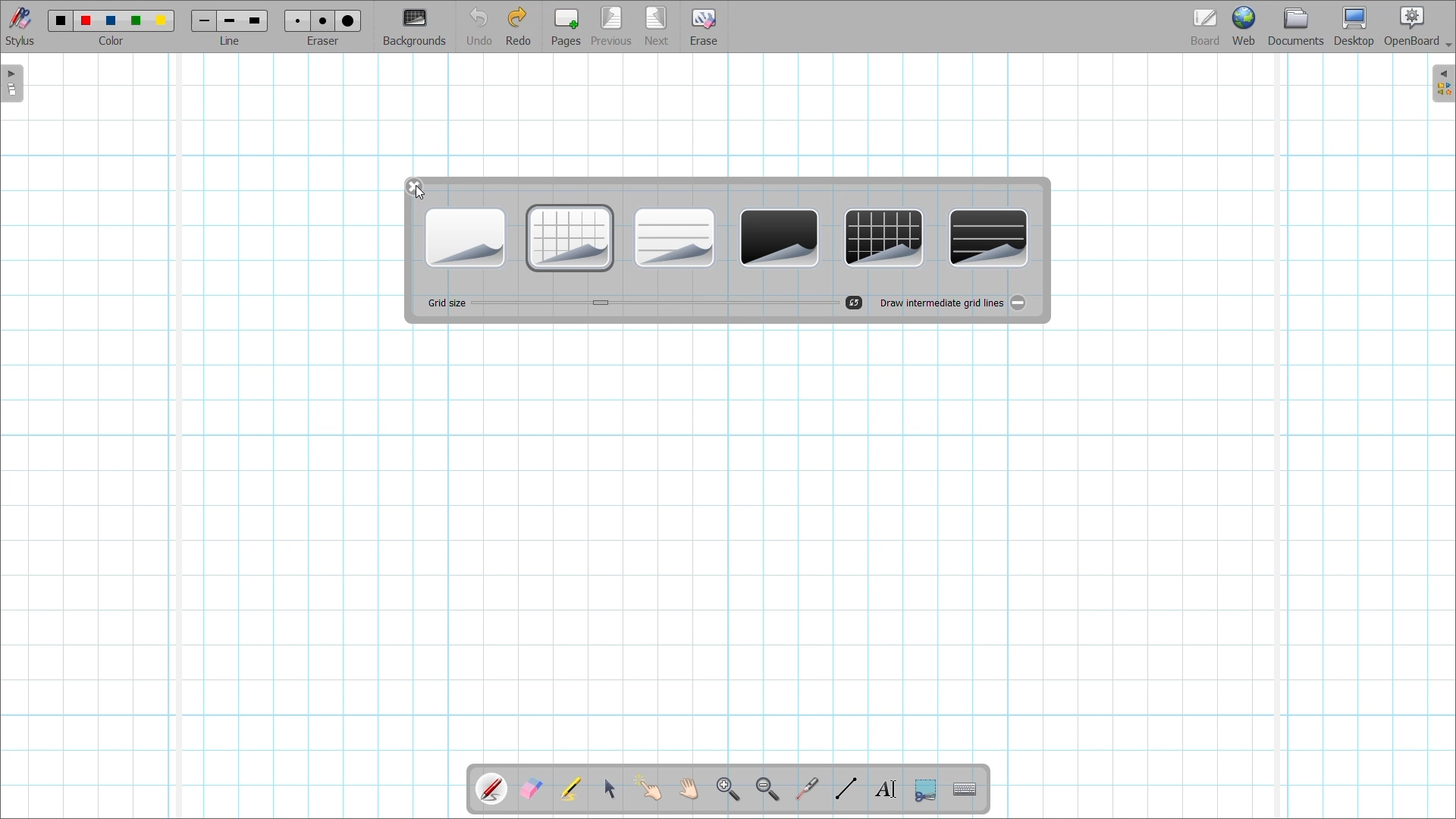 The height and width of the screenshot is (819, 1456). Describe the element at coordinates (230, 22) in the screenshot. I see `Line thickness options to draw line` at that location.